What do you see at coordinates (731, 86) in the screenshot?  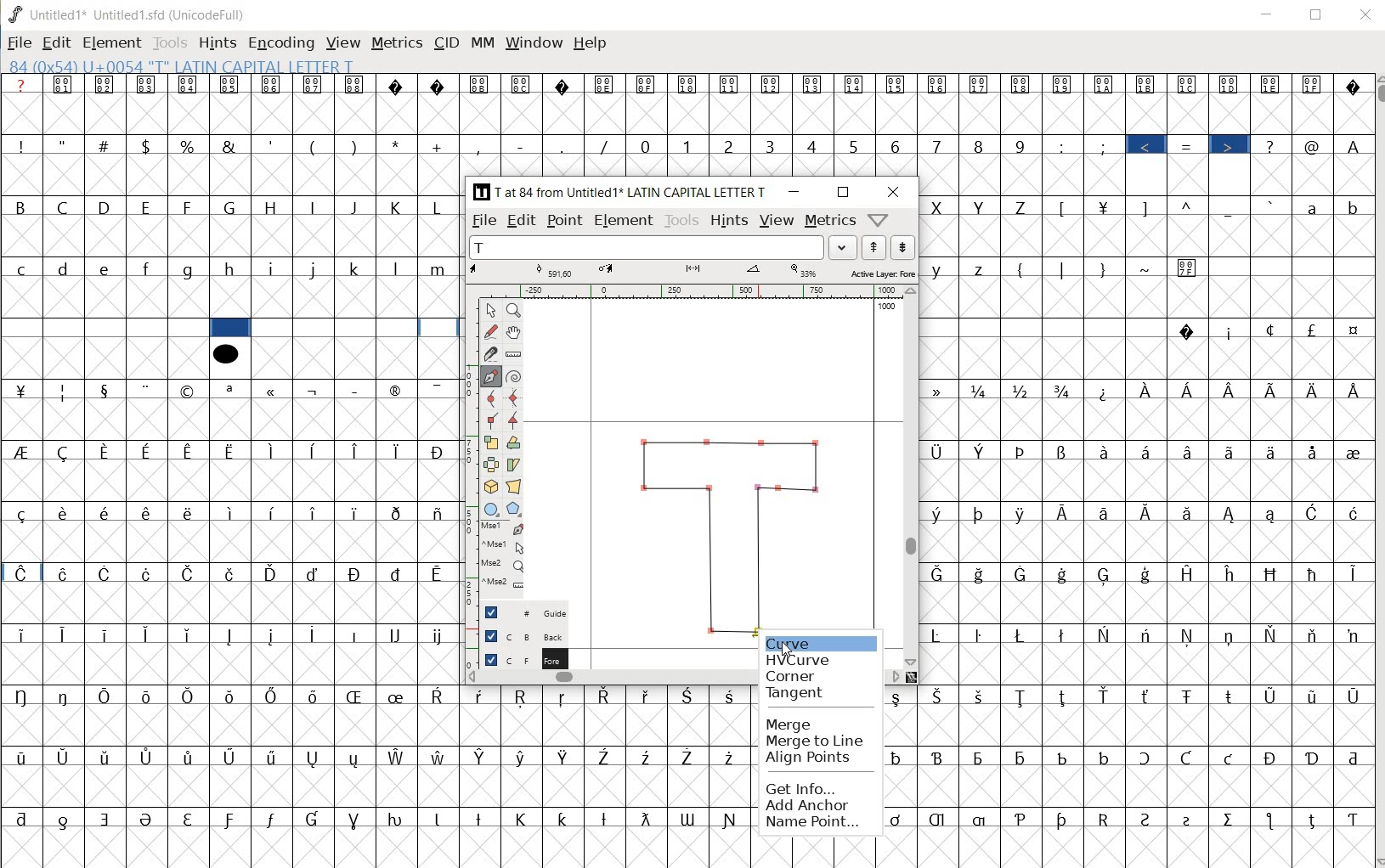 I see `Symbol` at bounding box center [731, 86].